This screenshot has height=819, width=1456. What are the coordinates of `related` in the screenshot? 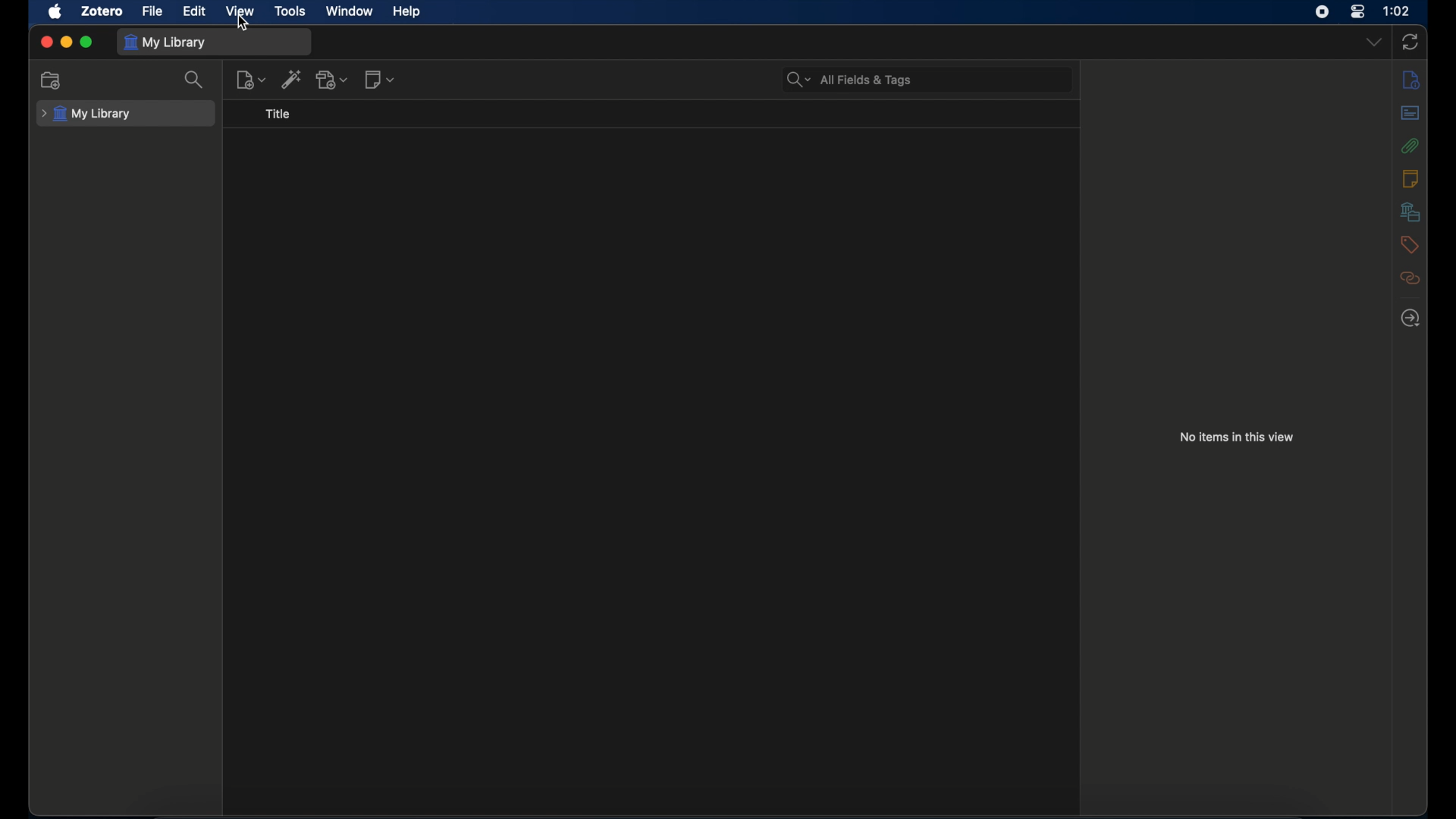 It's located at (1410, 278).